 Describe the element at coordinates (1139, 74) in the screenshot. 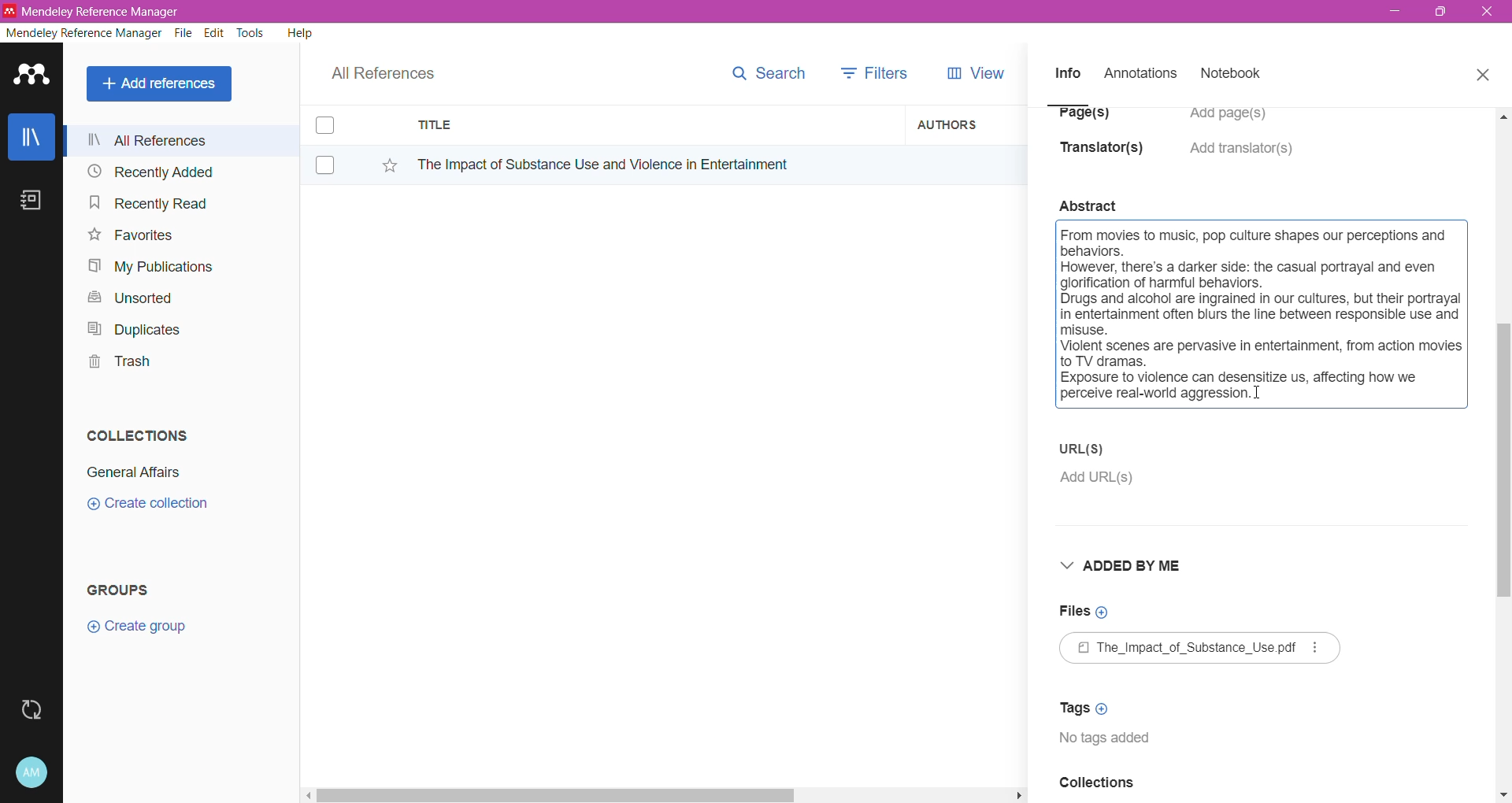

I see `Annotations` at that location.